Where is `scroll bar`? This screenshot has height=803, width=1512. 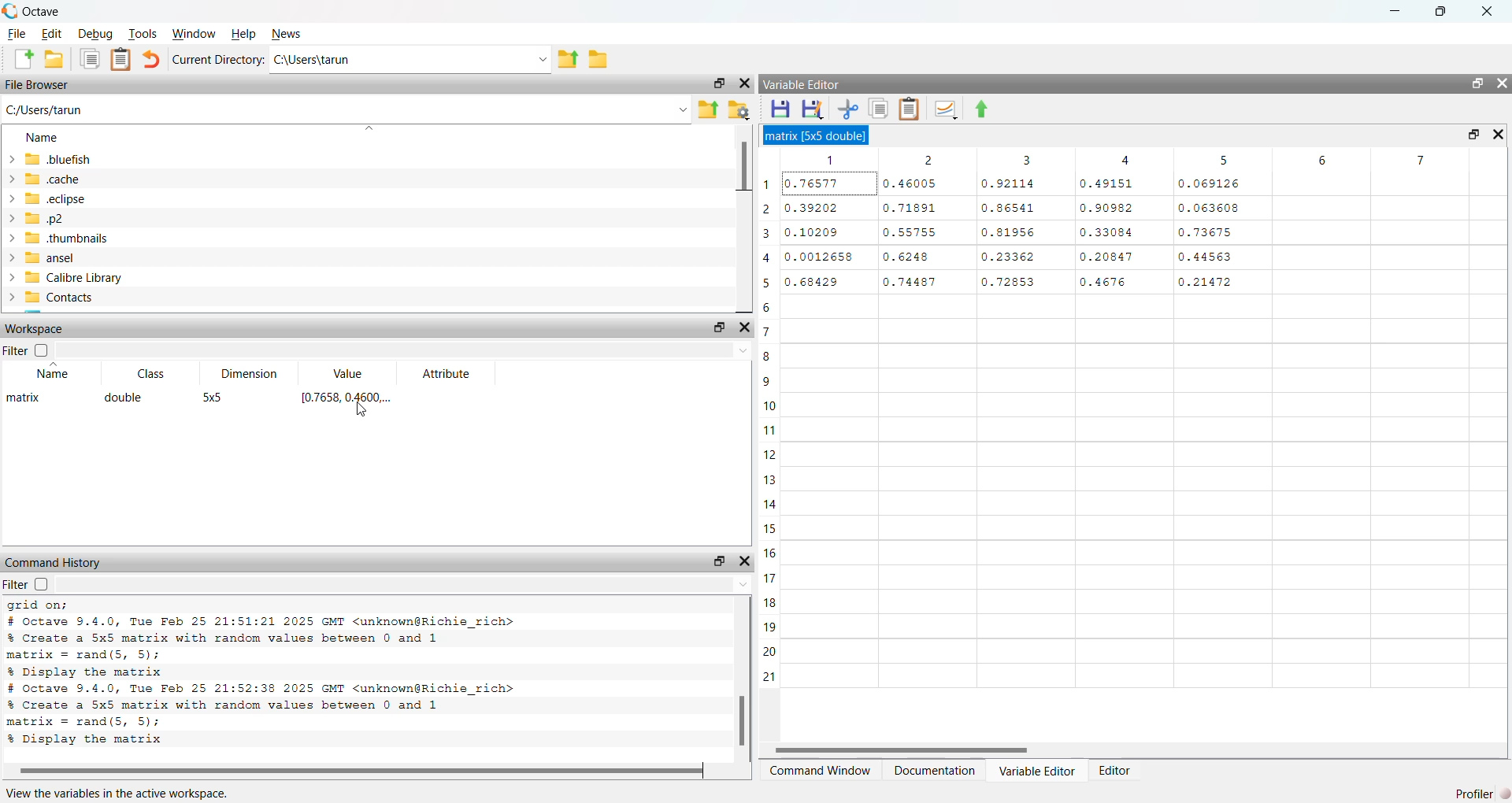 scroll bar is located at coordinates (741, 218).